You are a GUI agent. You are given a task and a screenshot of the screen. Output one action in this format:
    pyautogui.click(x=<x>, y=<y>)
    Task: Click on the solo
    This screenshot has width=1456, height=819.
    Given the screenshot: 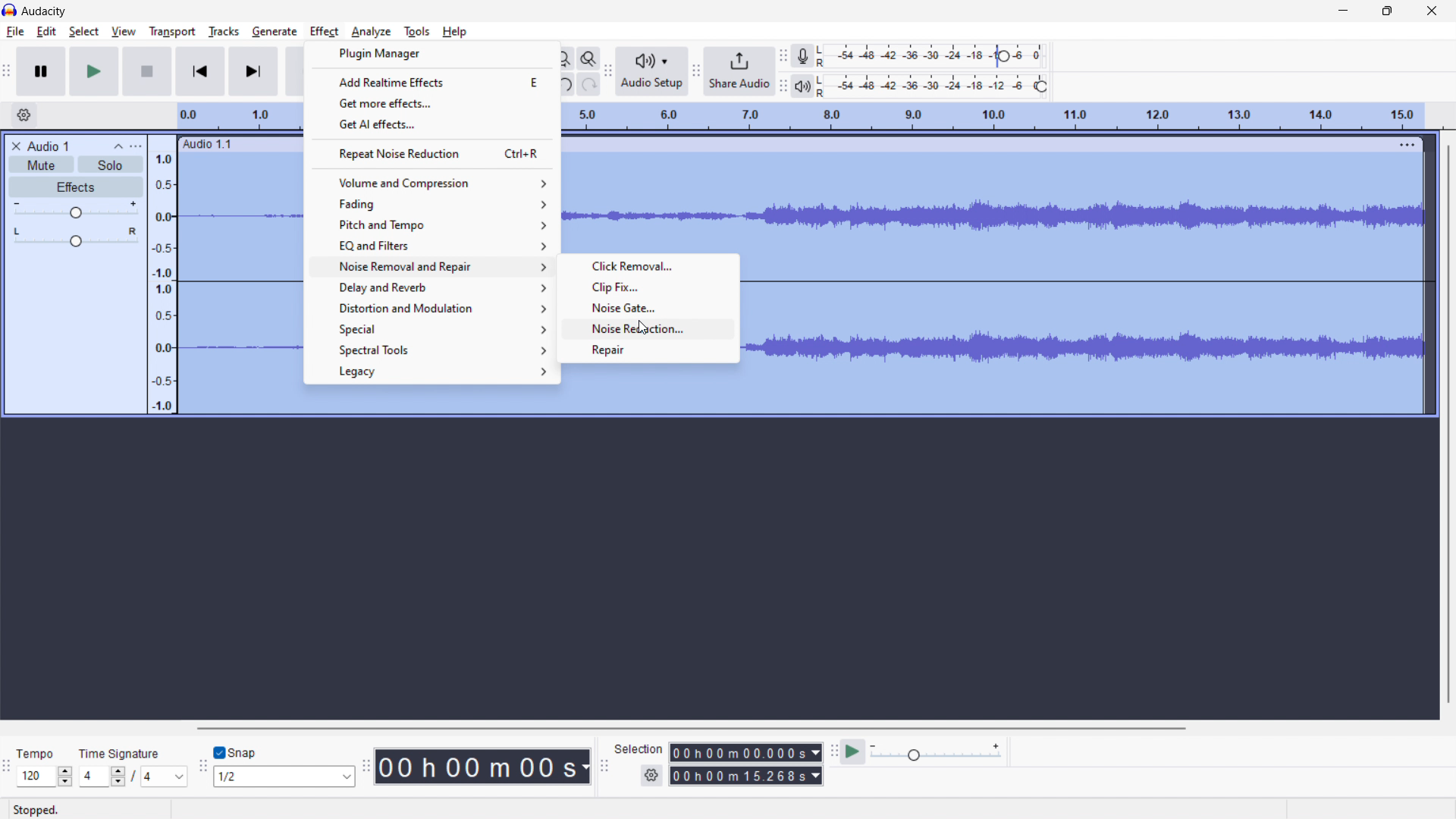 What is the action you would take?
    pyautogui.click(x=111, y=165)
    